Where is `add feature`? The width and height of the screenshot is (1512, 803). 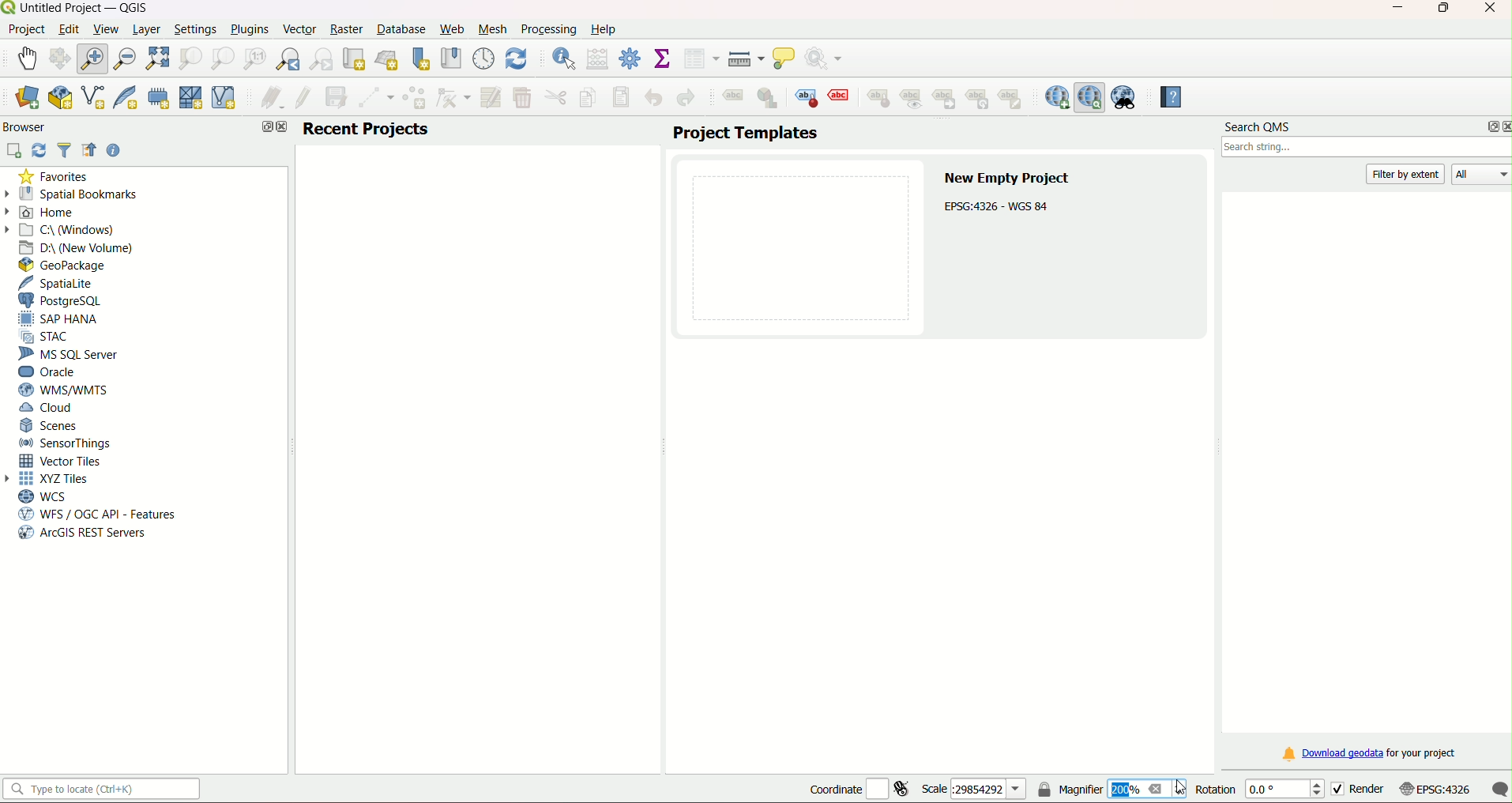
add feature is located at coordinates (415, 99).